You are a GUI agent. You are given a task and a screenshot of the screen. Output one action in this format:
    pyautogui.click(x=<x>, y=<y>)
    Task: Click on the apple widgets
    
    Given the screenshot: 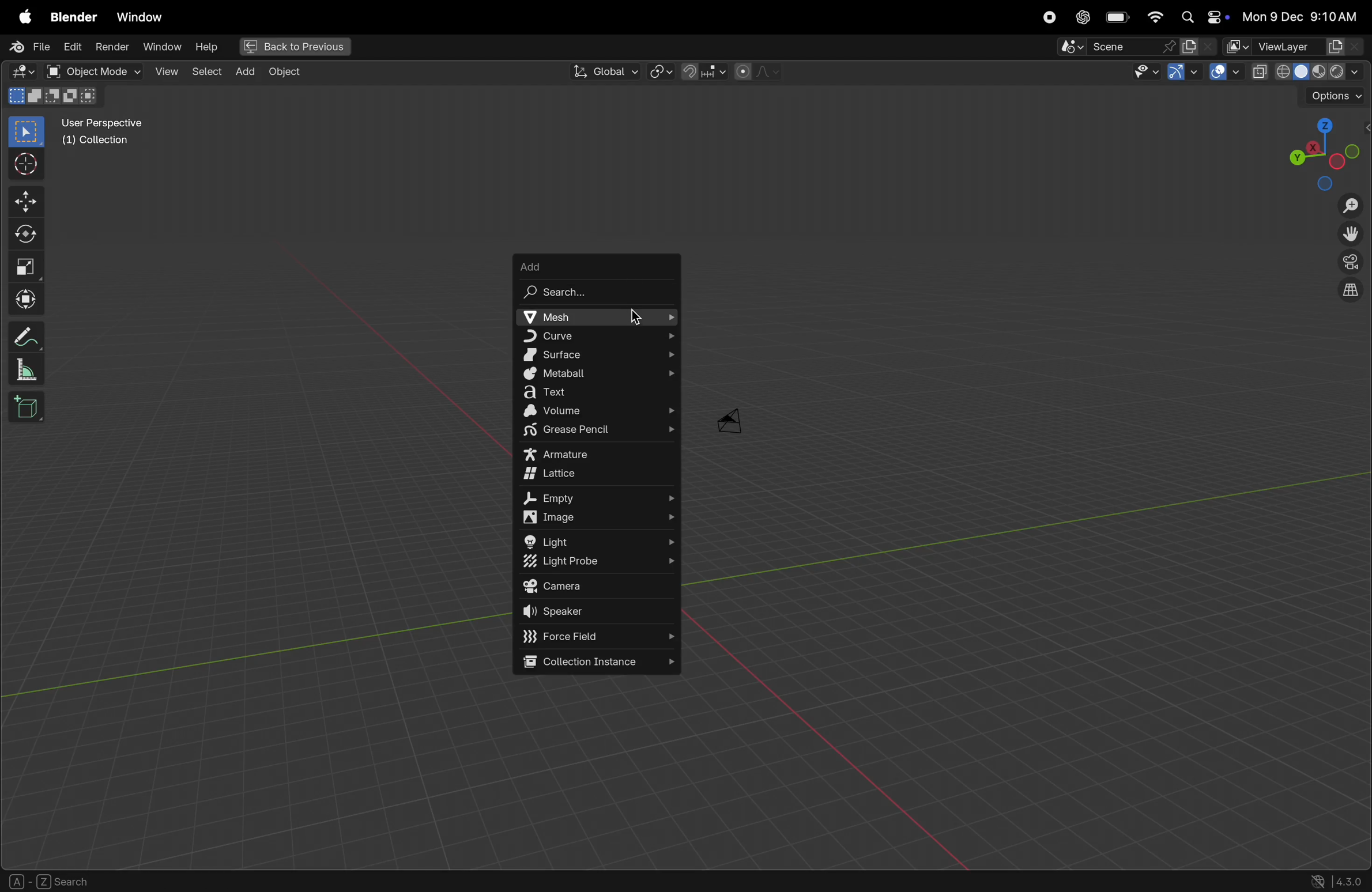 What is the action you would take?
    pyautogui.click(x=1203, y=18)
    